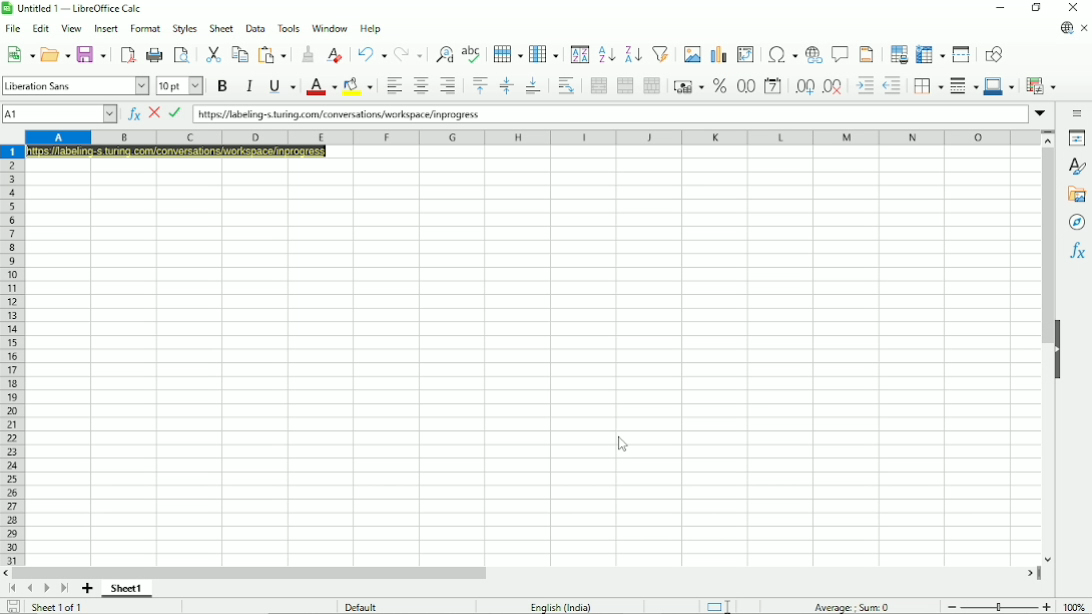 The width and height of the screenshot is (1092, 614). Describe the element at coordinates (1078, 194) in the screenshot. I see `Gallery` at that location.